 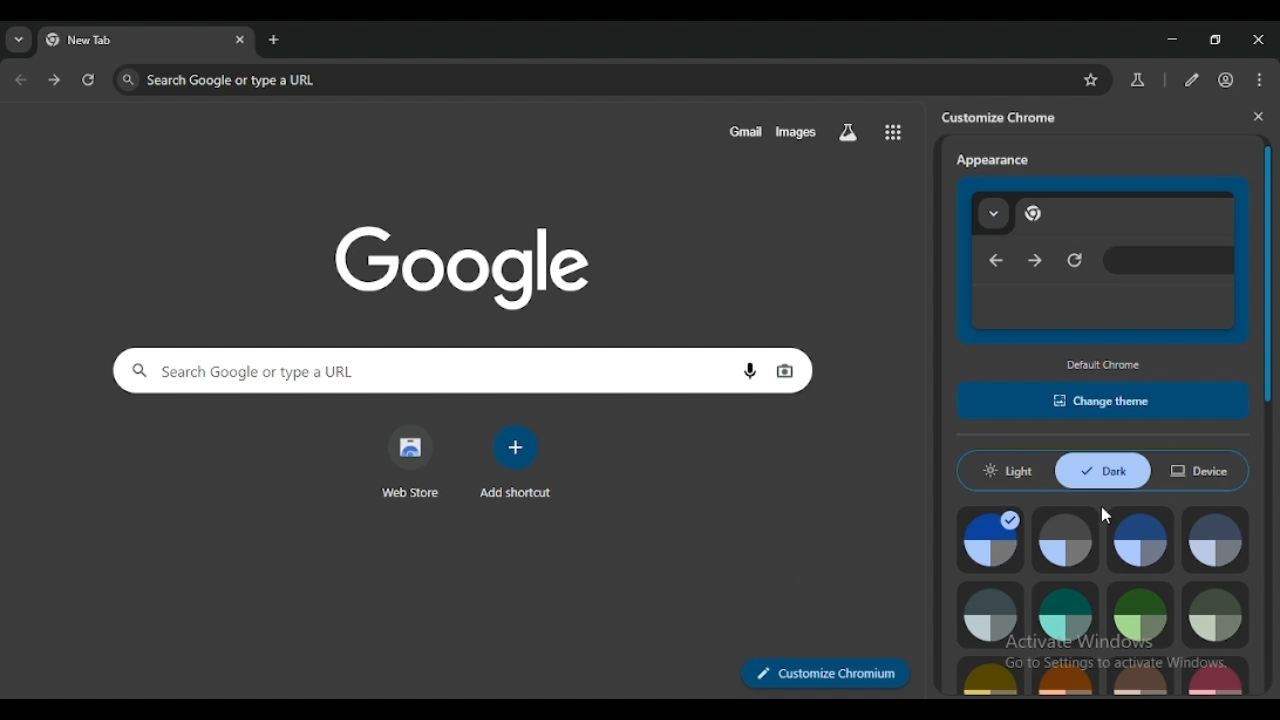 I want to click on profile, so click(x=1226, y=80).